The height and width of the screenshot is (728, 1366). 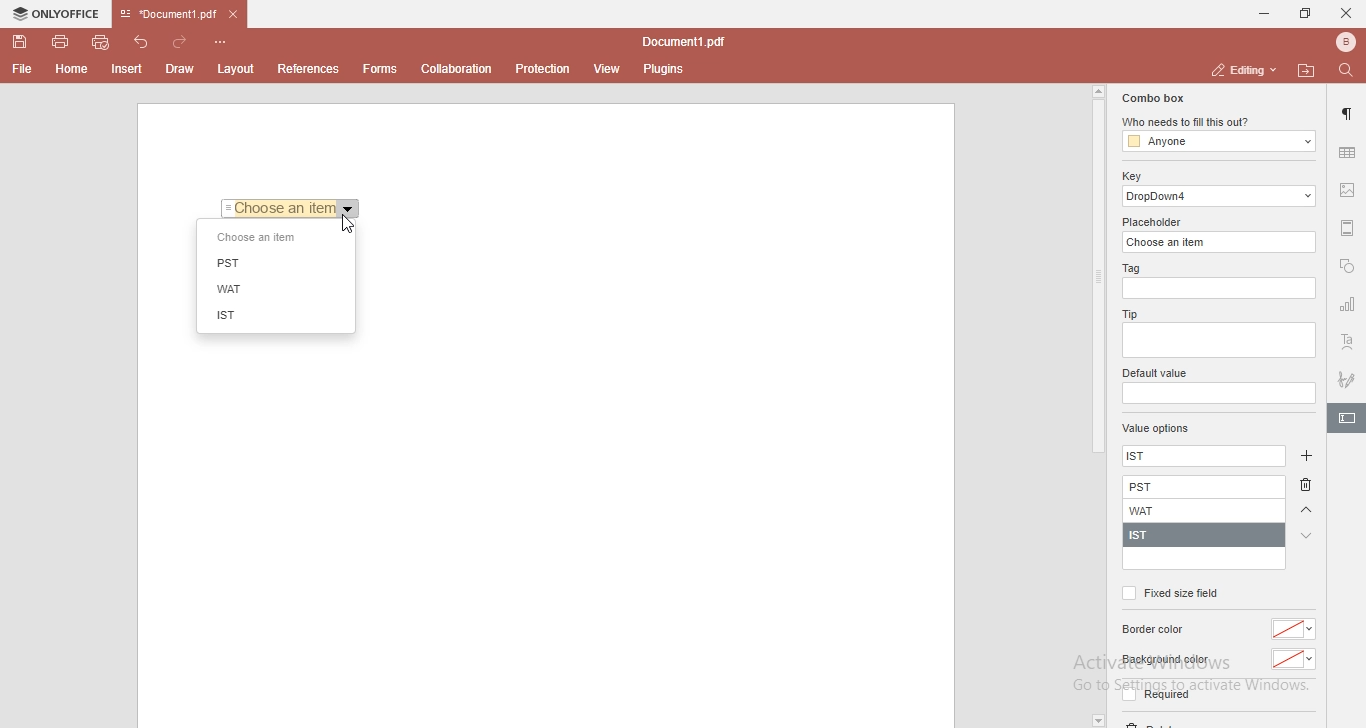 What do you see at coordinates (1346, 420) in the screenshot?
I see `highlighted` at bounding box center [1346, 420].